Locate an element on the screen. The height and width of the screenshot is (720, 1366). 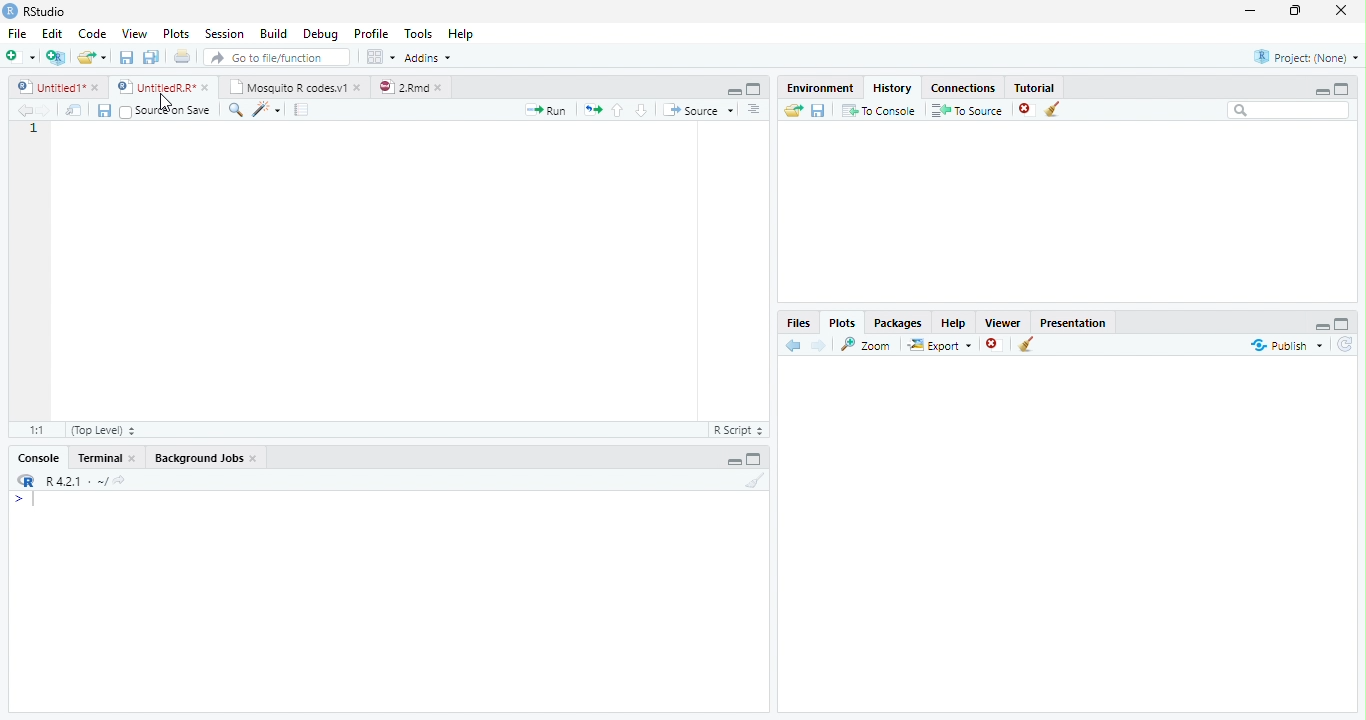
File is located at coordinates (18, 31).